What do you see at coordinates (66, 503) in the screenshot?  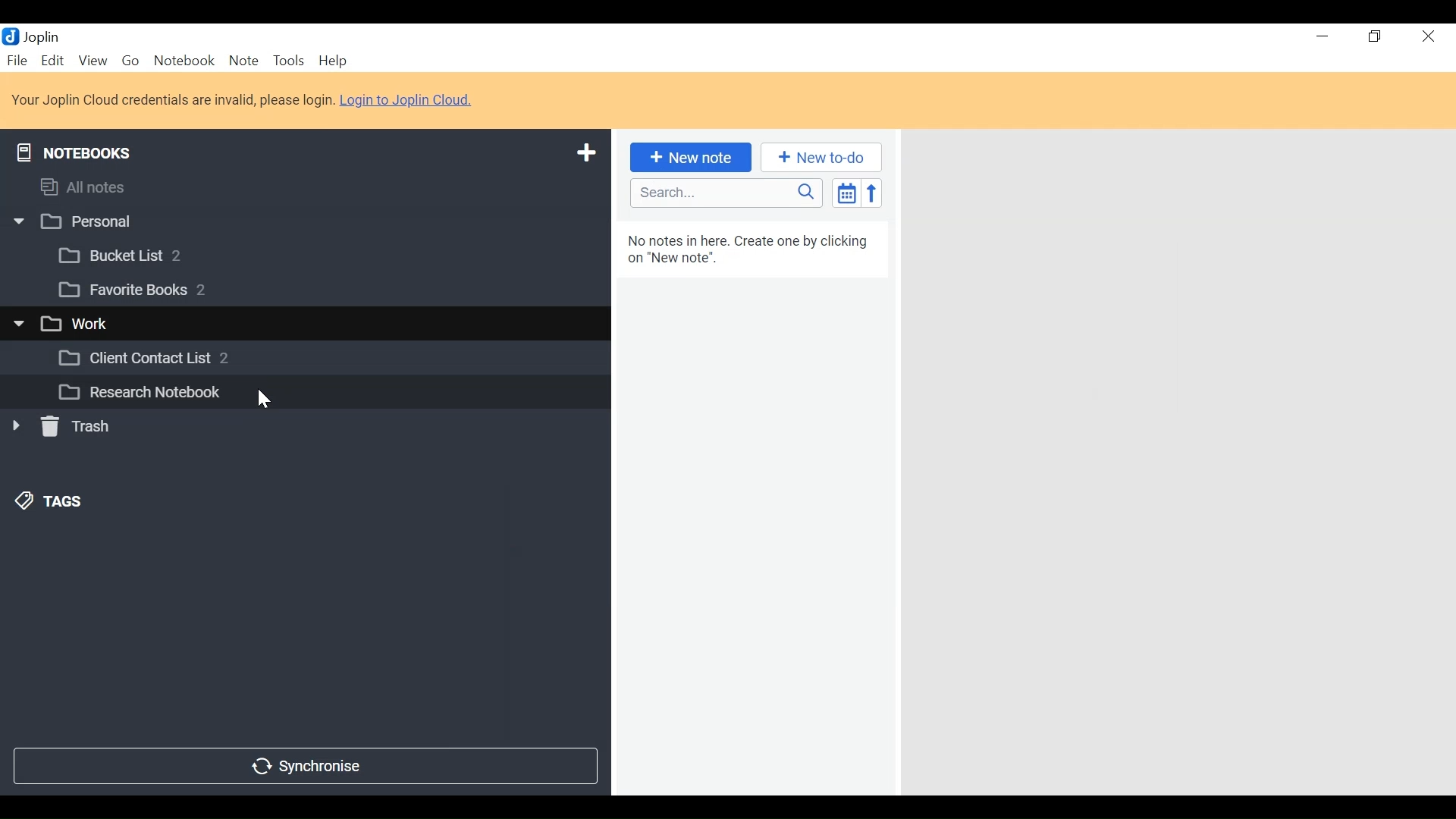 I see `&) TAGS` at bounding box center [66, 503].